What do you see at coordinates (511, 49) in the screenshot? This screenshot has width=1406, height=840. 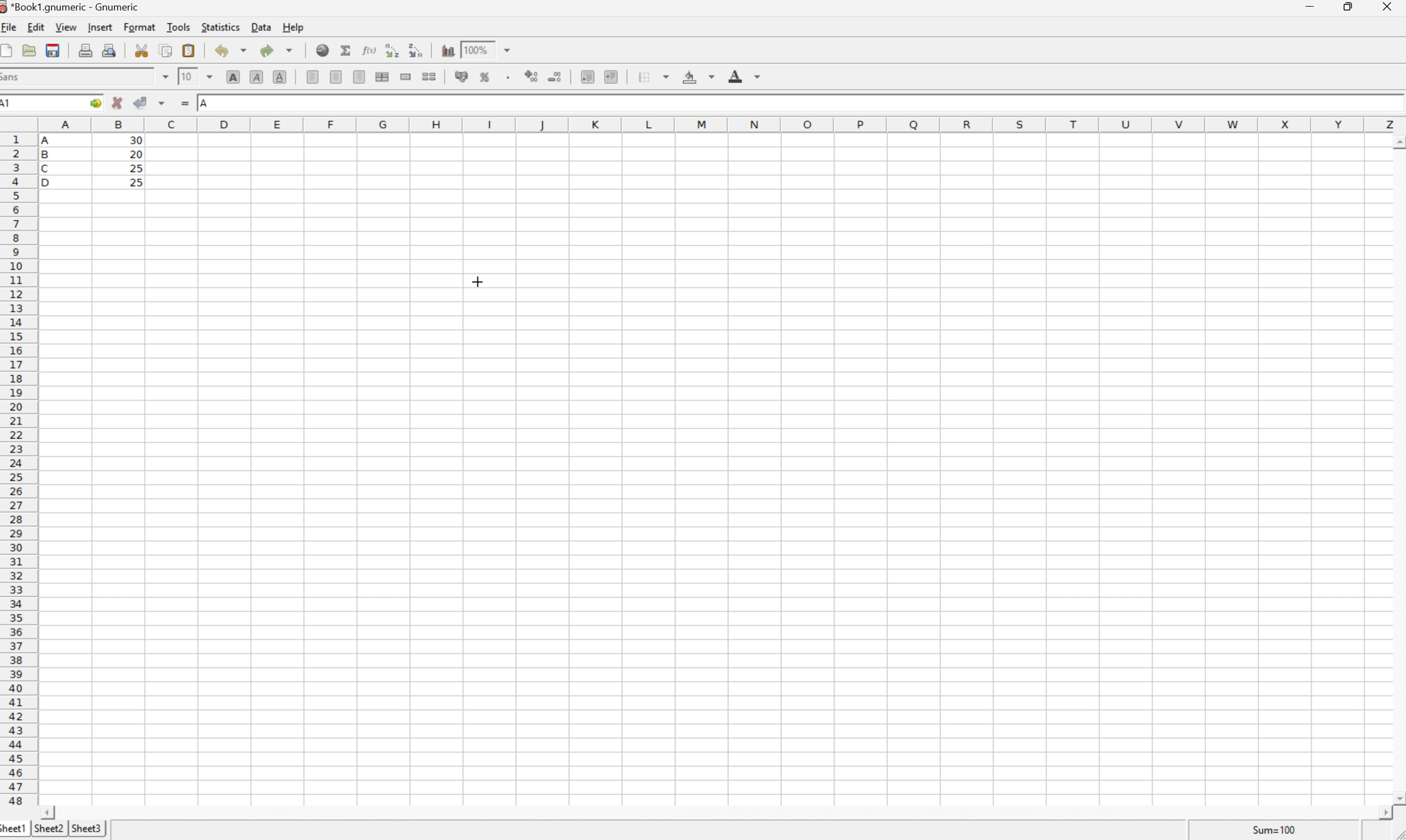 I see `Drop Down` at bounding box center [511, 49].